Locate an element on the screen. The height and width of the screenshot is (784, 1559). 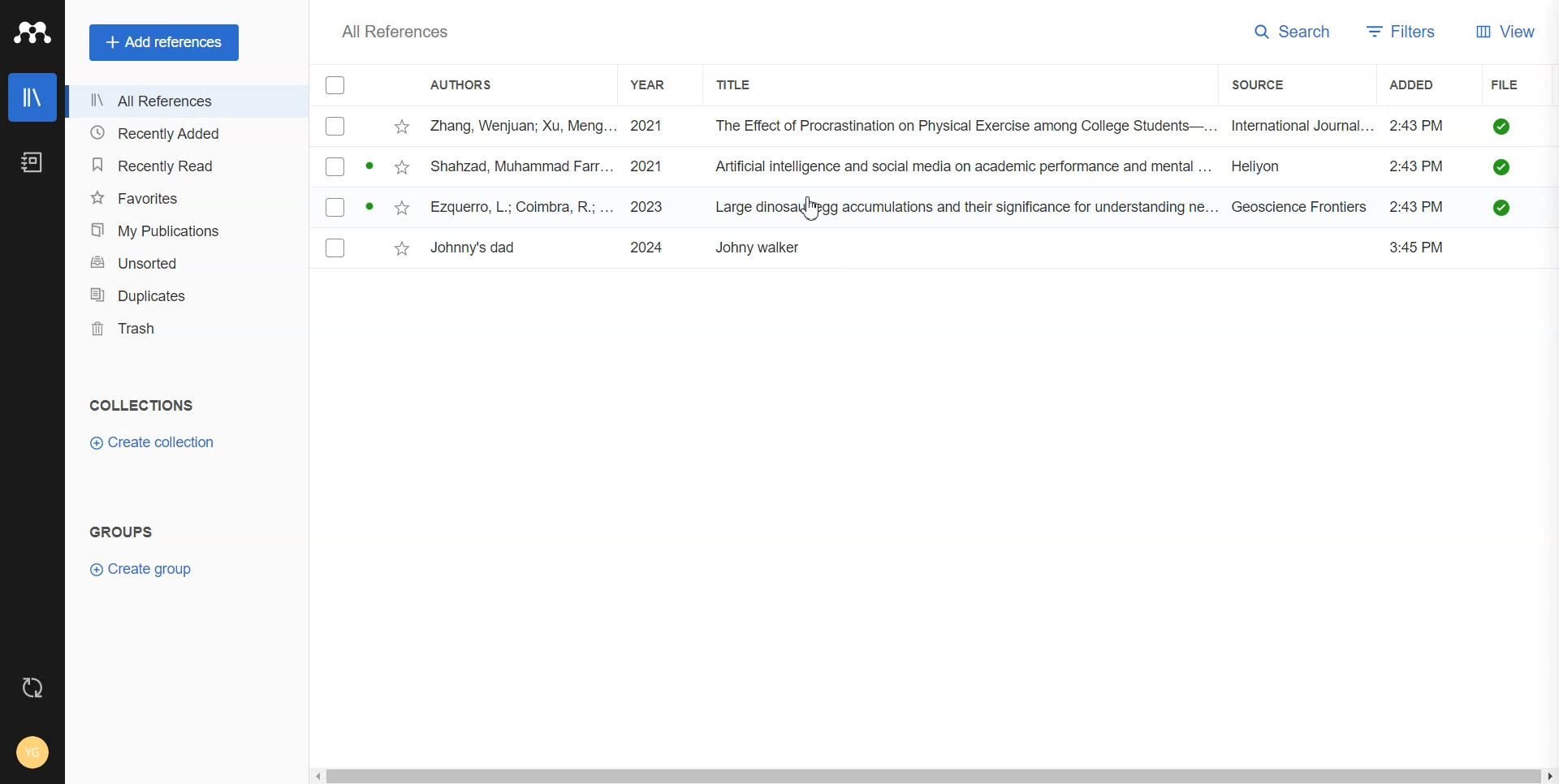
International Journal is located at coordinates (1302, 124).